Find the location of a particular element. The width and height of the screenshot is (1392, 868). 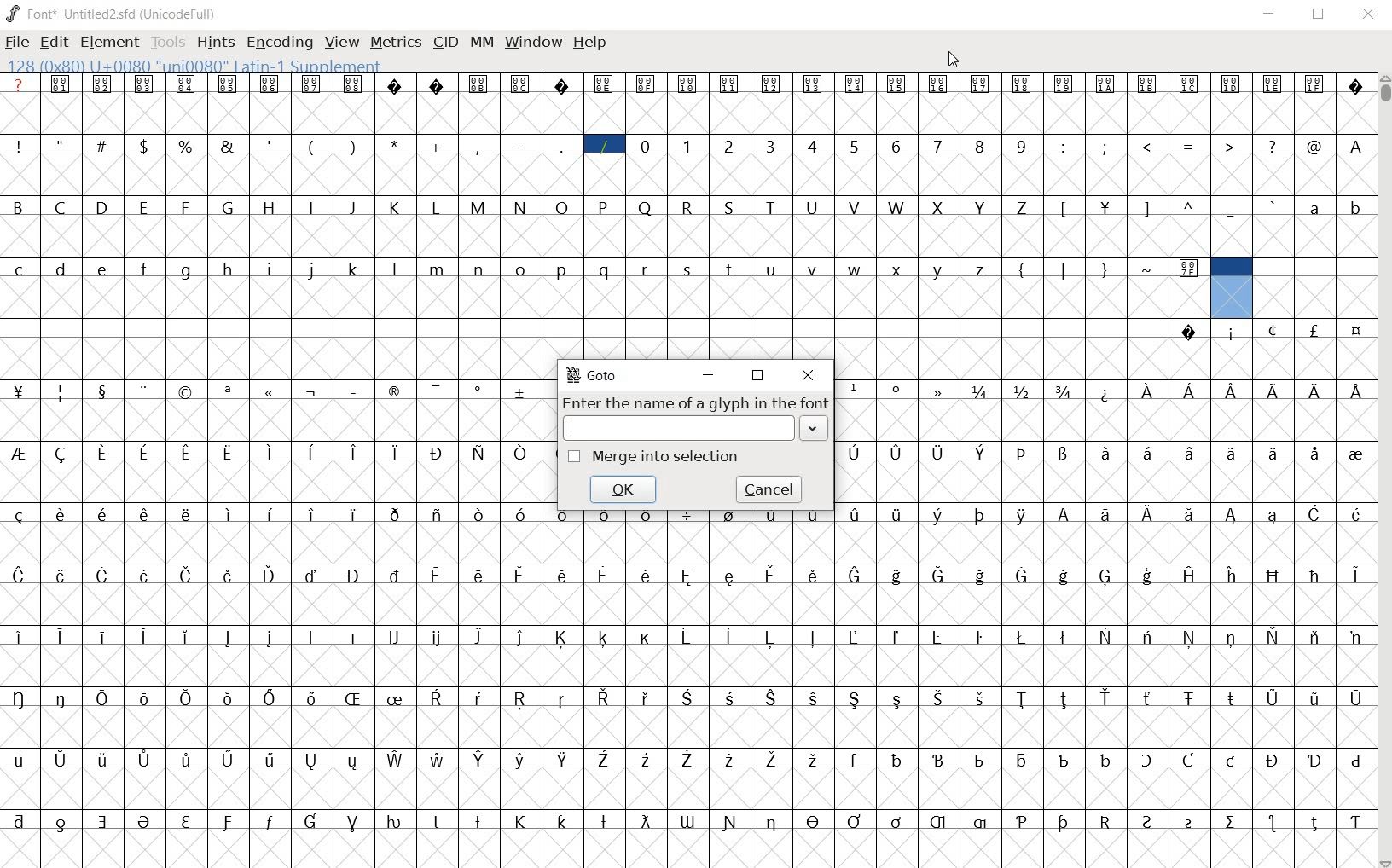

Symbol is located at coordinates (270, 637).